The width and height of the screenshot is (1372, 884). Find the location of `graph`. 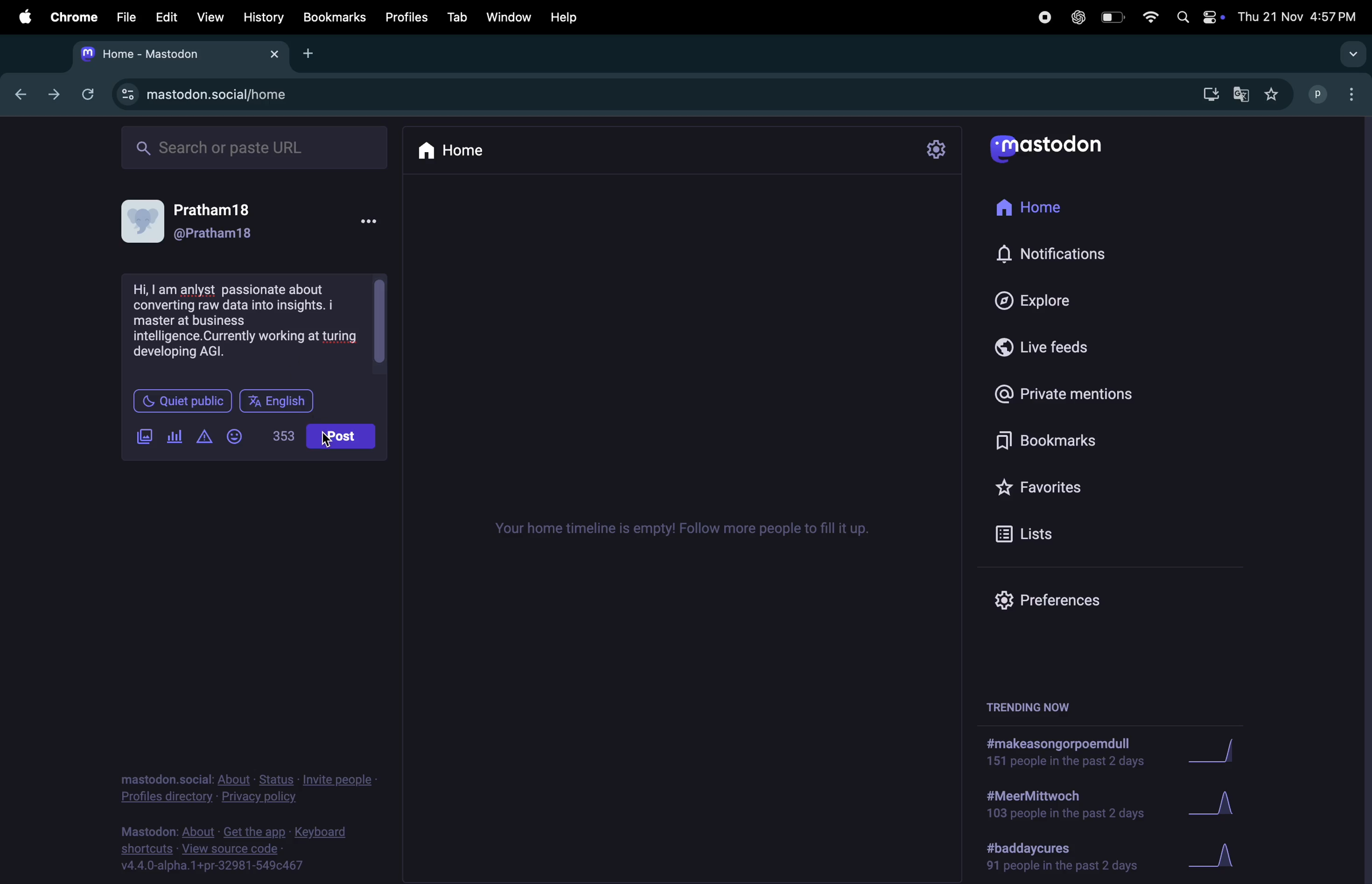

graph is located at coordinates (1213, 804).